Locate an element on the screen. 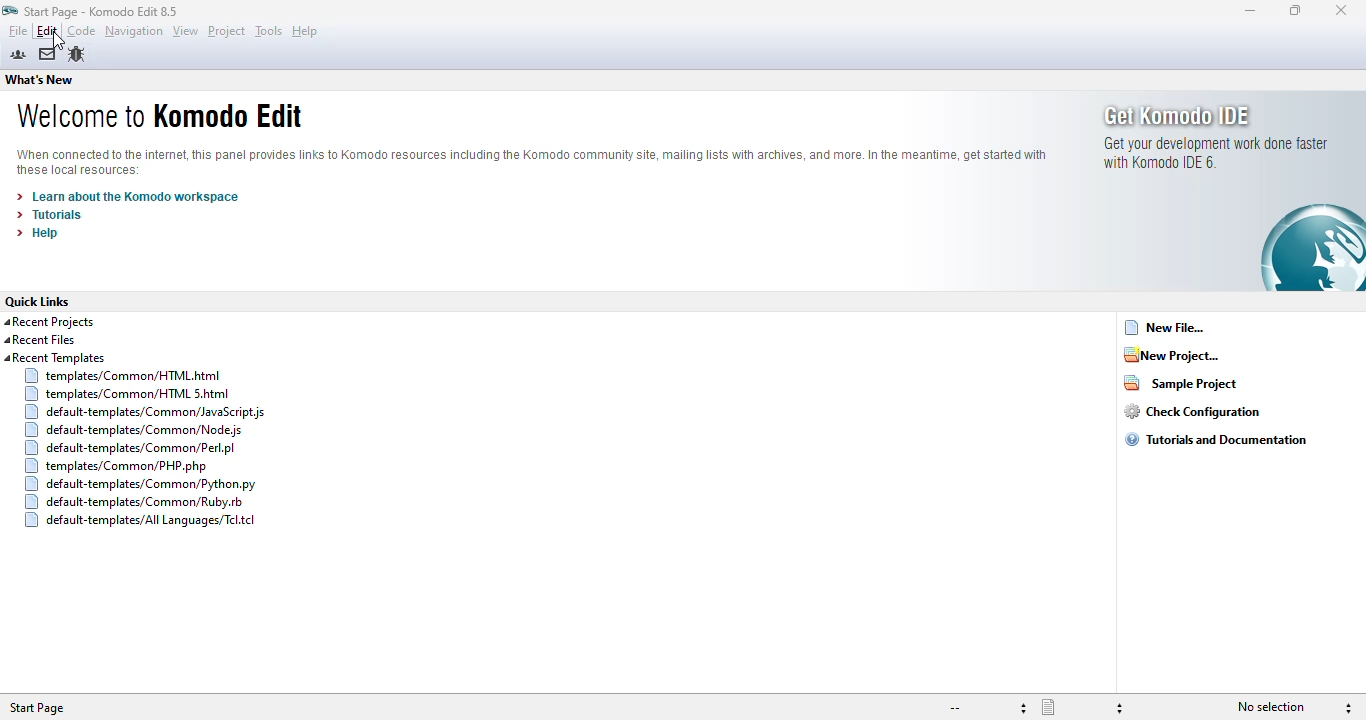  sample project is located at coordinates (1182, 382).